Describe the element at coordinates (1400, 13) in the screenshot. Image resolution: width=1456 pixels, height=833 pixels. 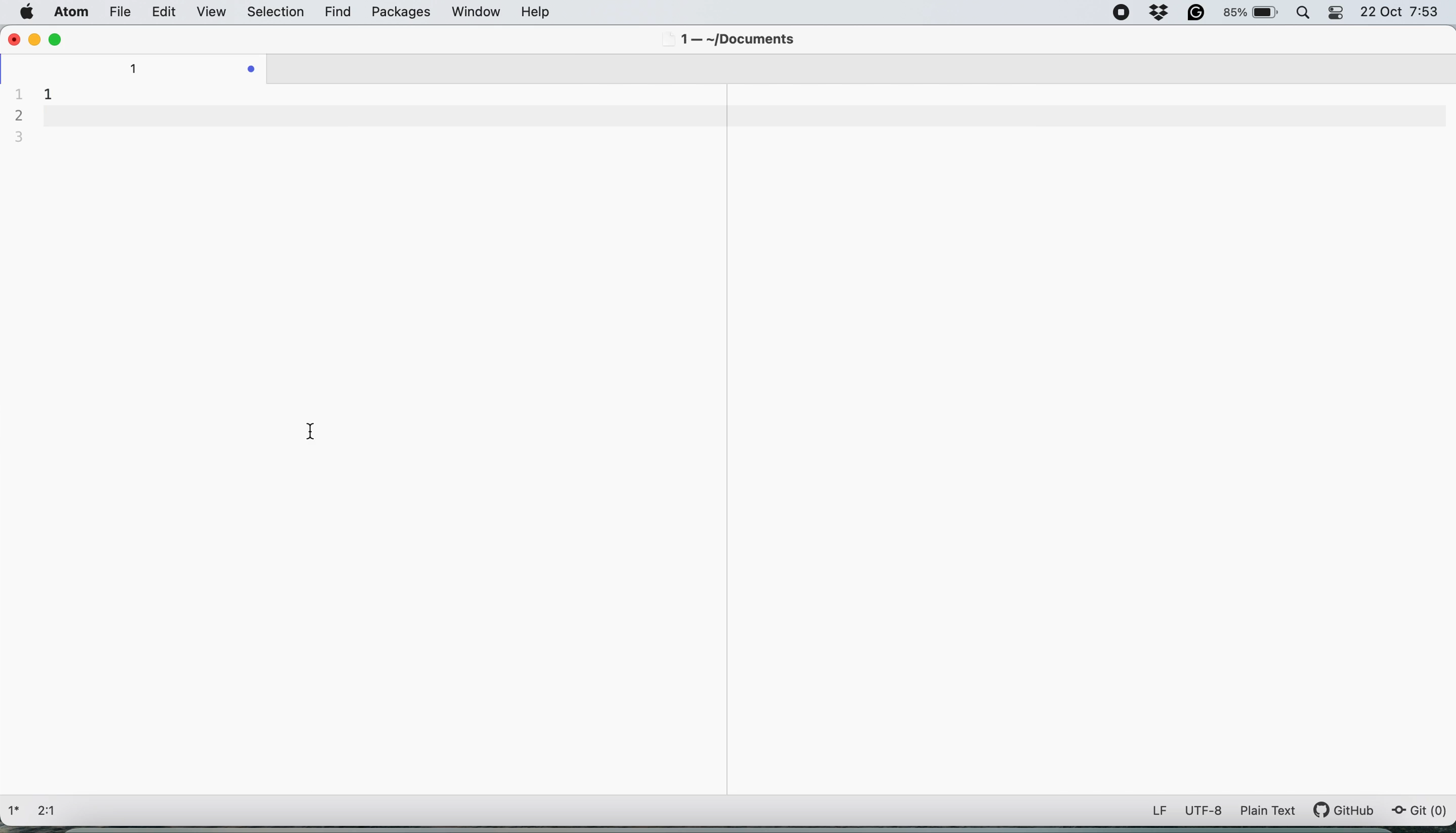
I see `22 Oct 7:53` at that location.